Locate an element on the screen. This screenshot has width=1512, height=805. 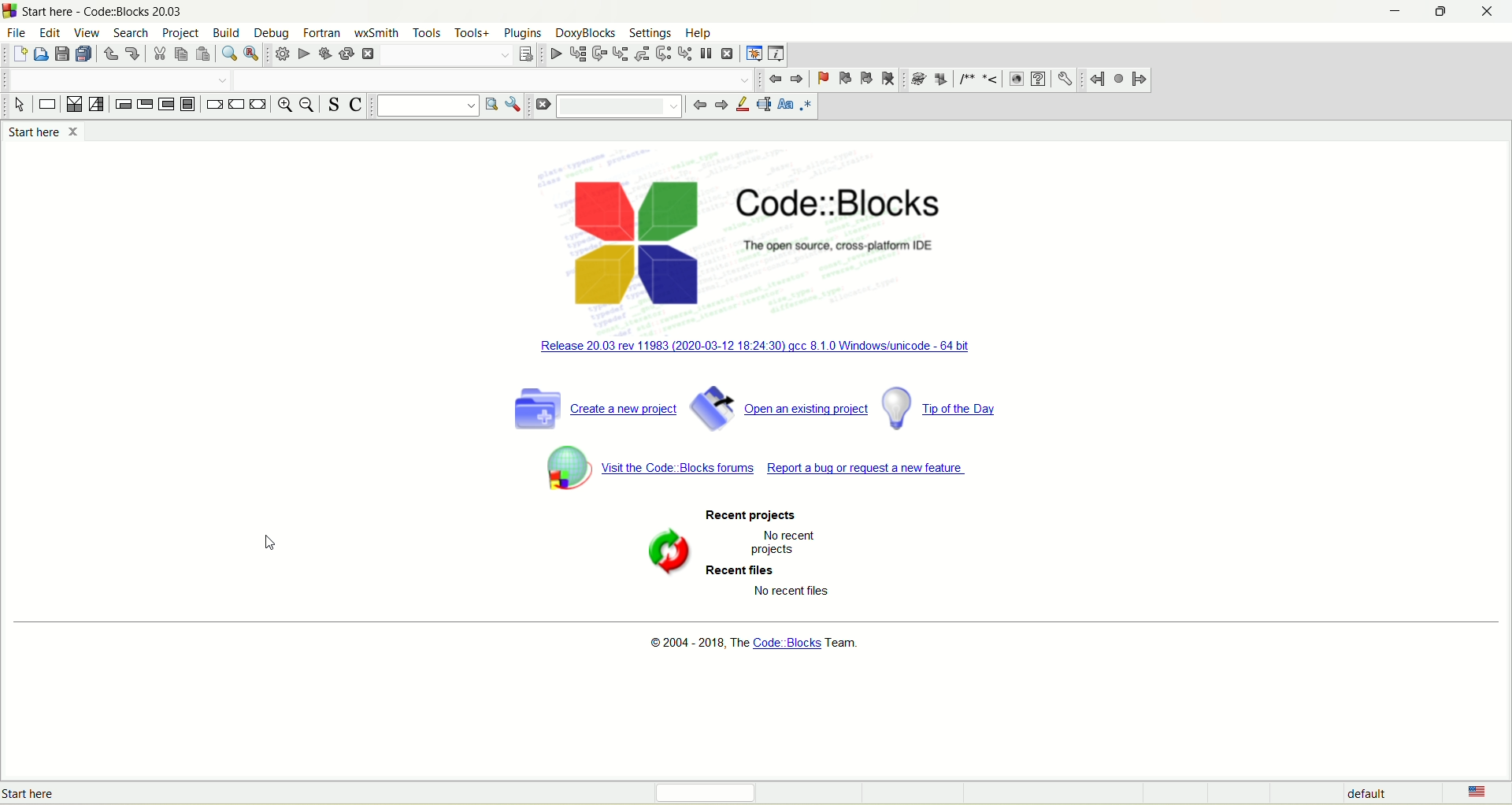
selected text is located at coordinates (763, 103).